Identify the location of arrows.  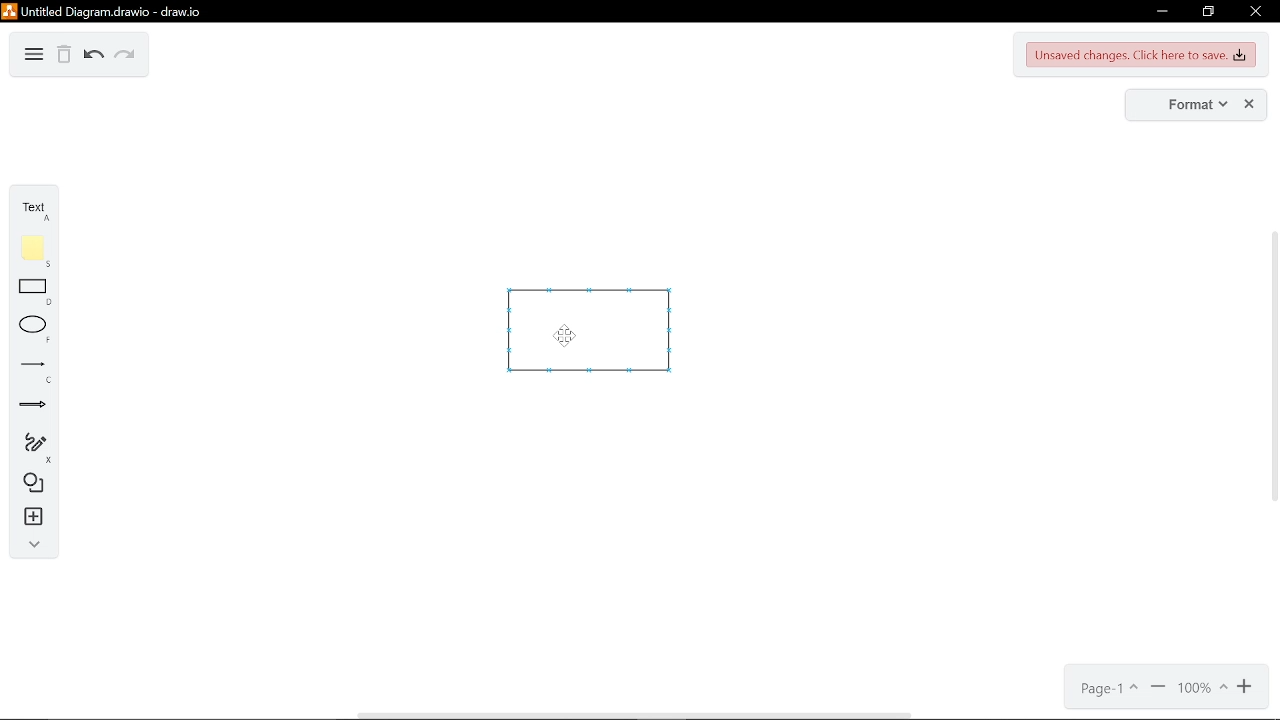
(34, 407).